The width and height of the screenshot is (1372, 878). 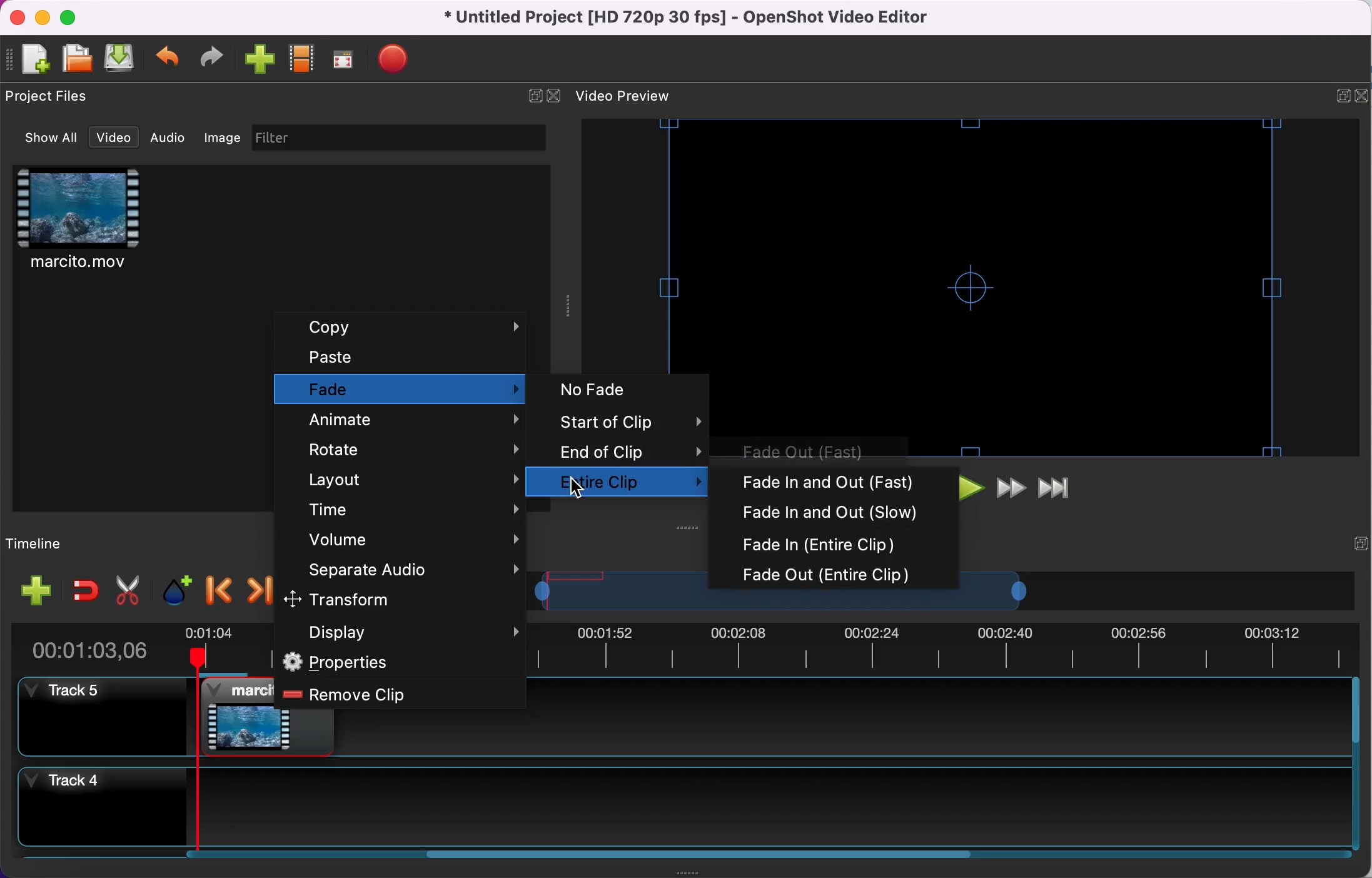 I want to click on new file, so click(x=29, y=59).